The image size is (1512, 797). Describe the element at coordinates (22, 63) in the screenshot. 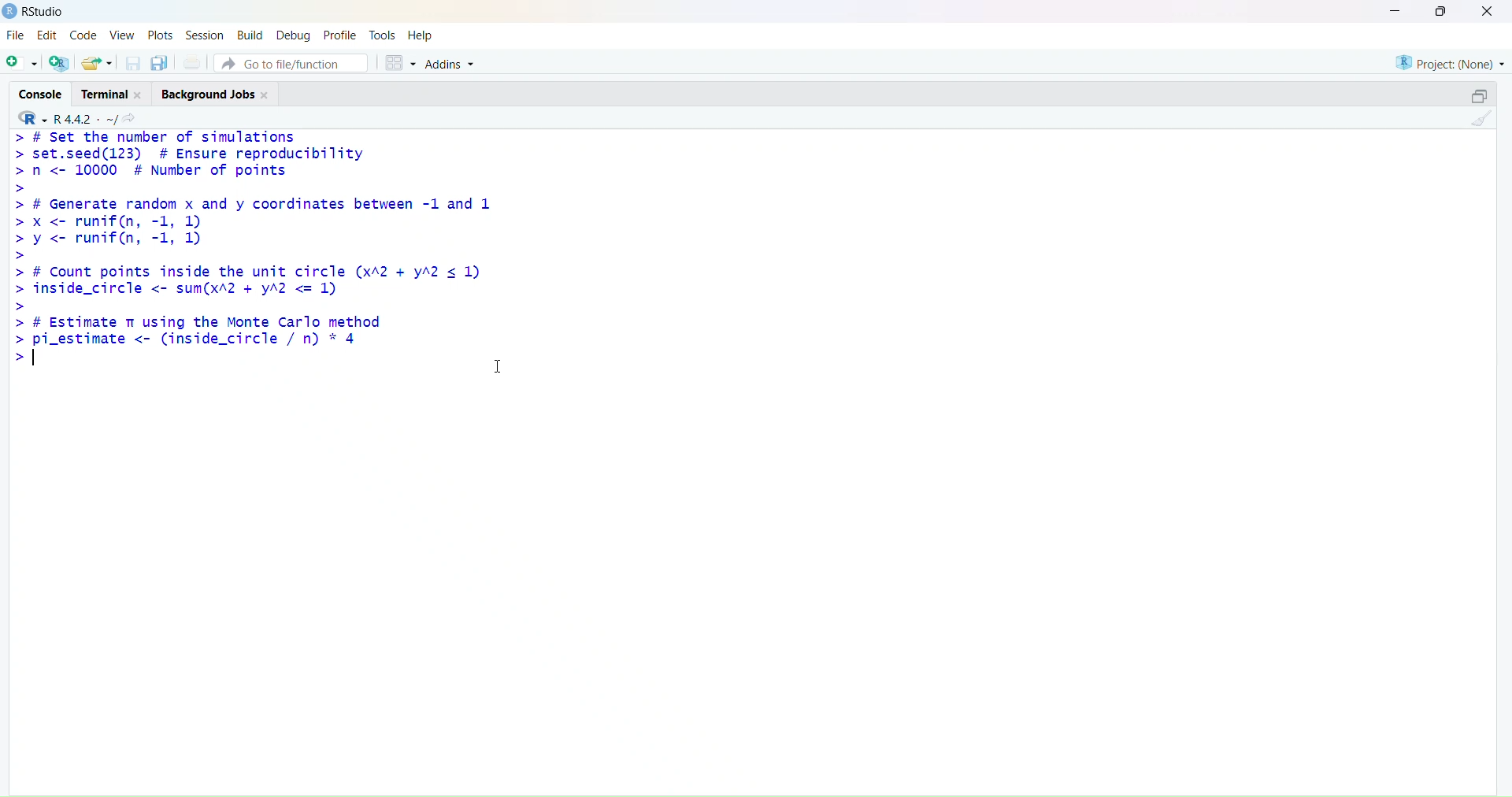

I see `New File` at that location.